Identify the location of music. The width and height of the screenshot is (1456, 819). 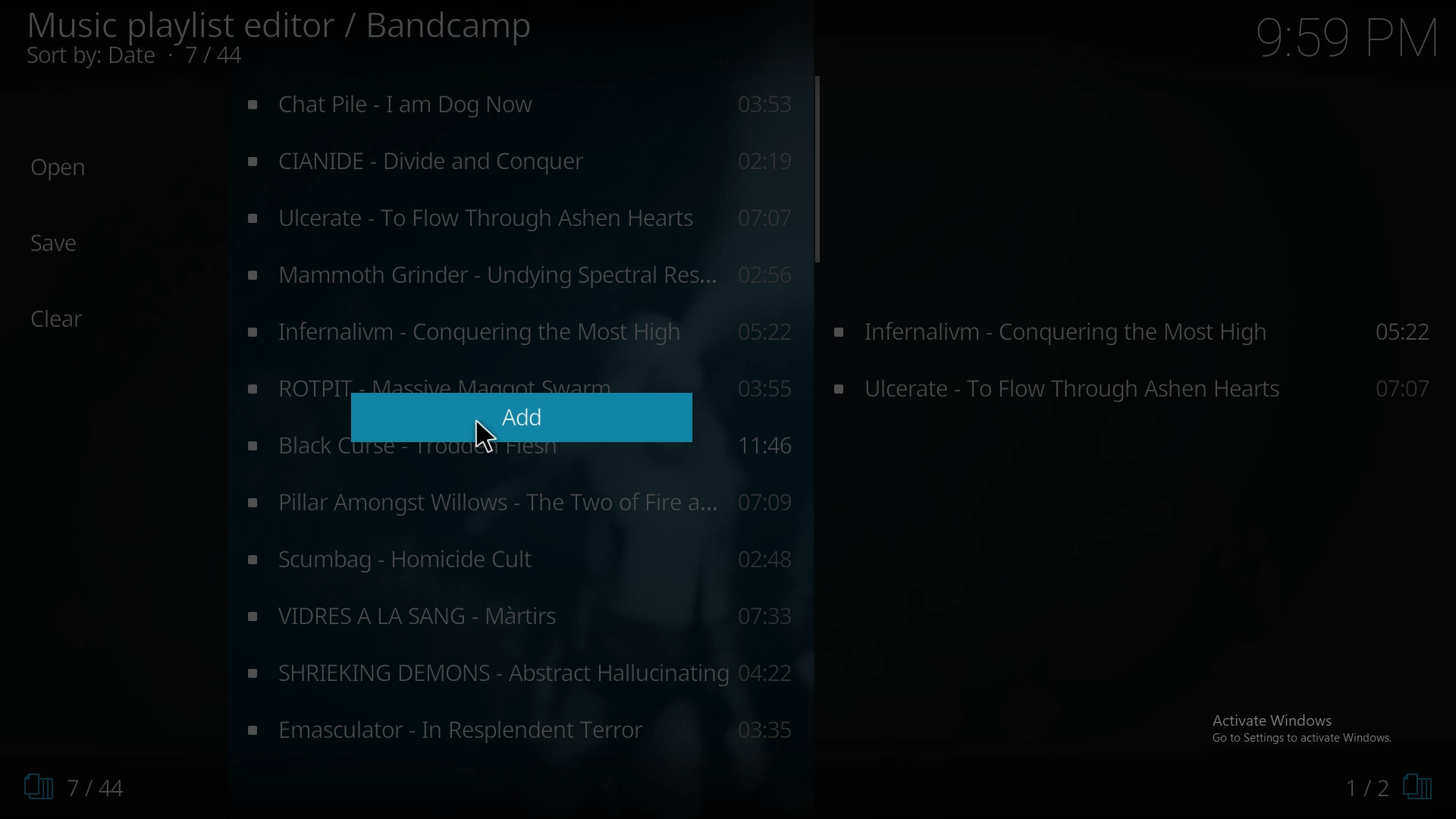
(516, 333).